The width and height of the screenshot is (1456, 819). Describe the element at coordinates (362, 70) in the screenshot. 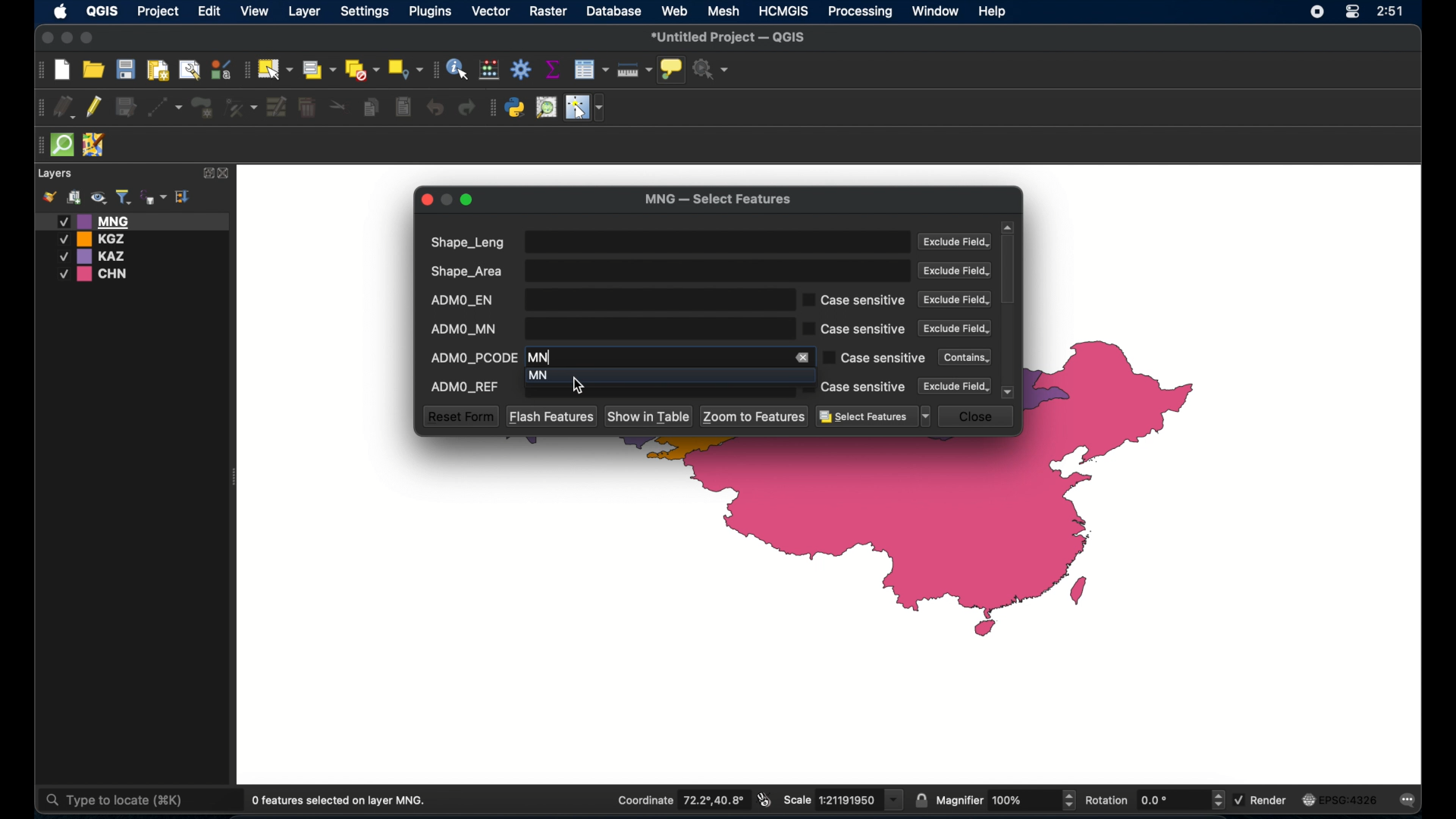

I see `deselect all features` at that location.